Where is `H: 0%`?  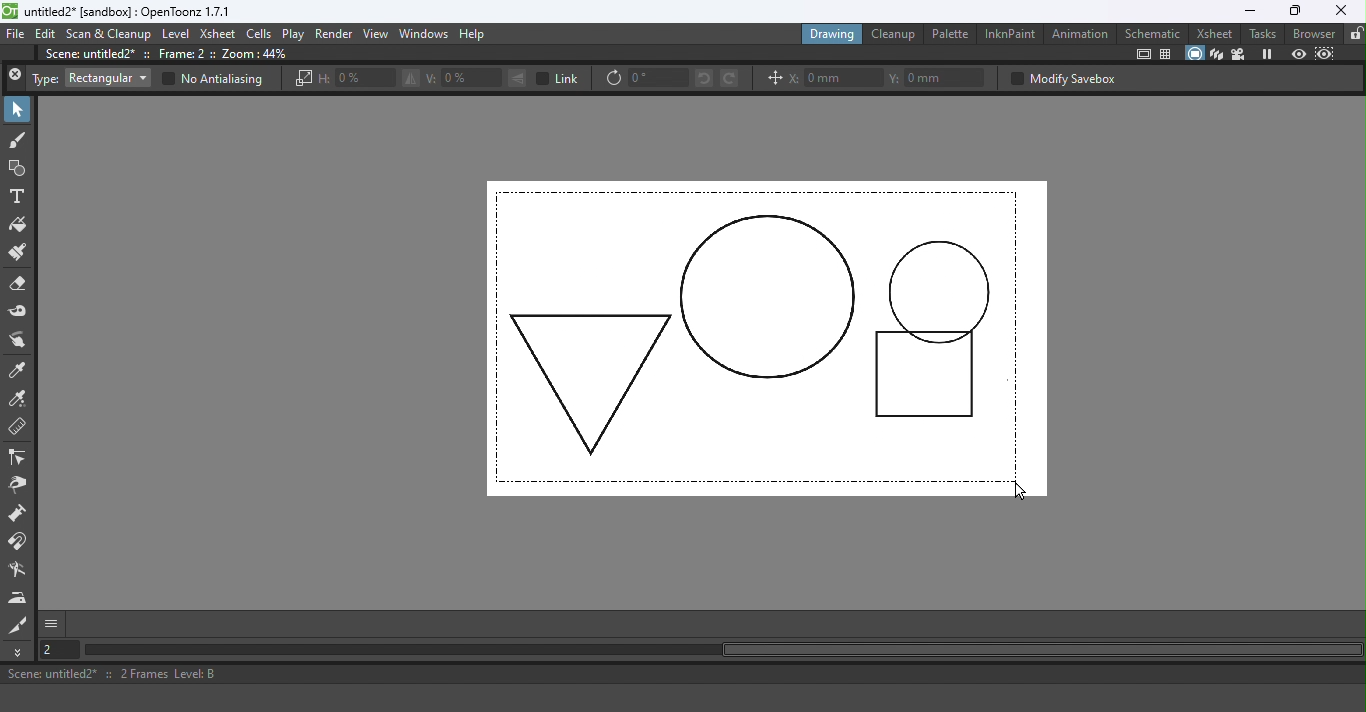
H: 0% is located at coordinates (356, 78).